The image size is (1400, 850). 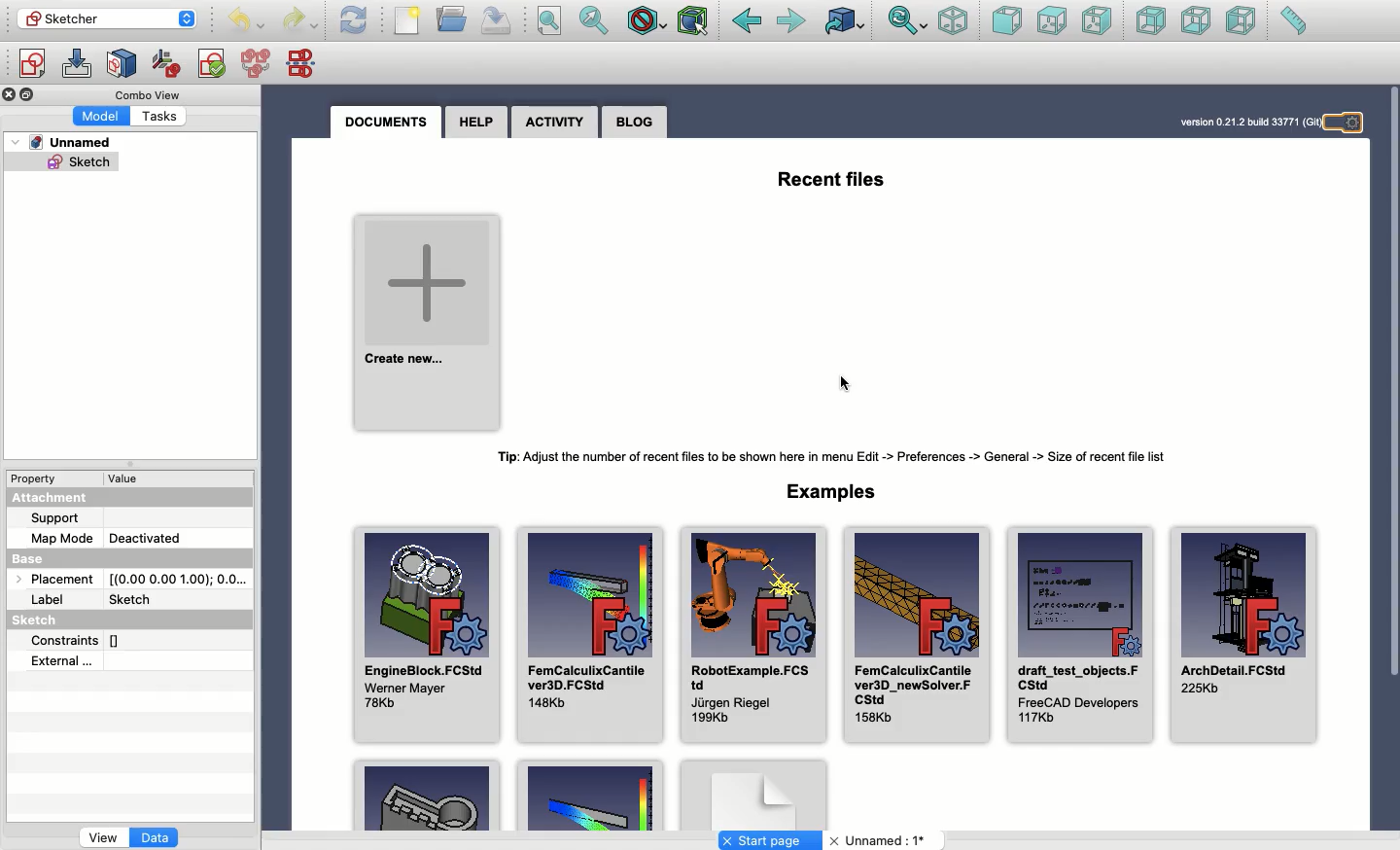 I want to click on Edit sketch, so click(x=79, y=65).